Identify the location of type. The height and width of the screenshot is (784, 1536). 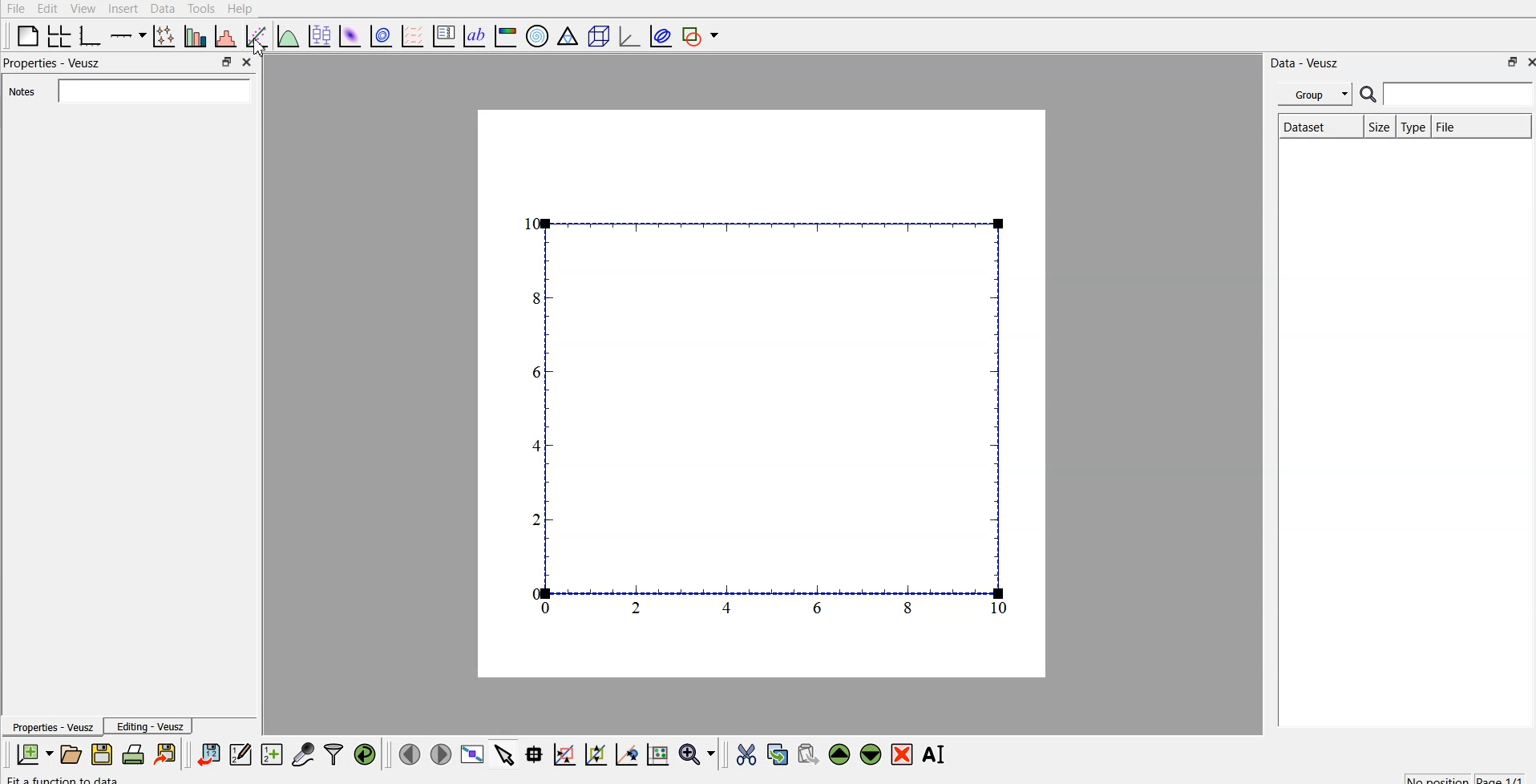
(1413, 127).